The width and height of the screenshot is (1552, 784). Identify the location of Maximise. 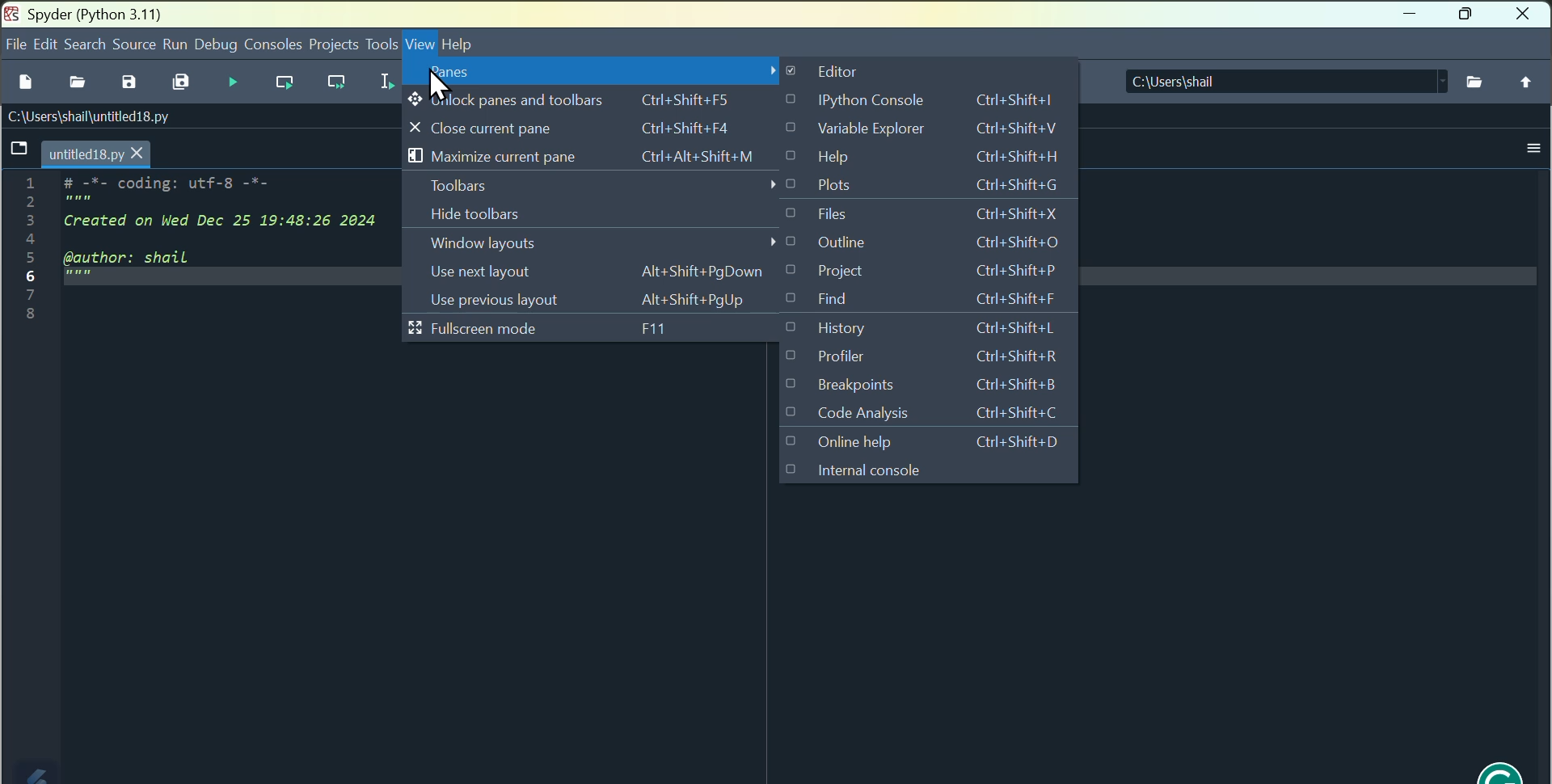
(1468, 16).